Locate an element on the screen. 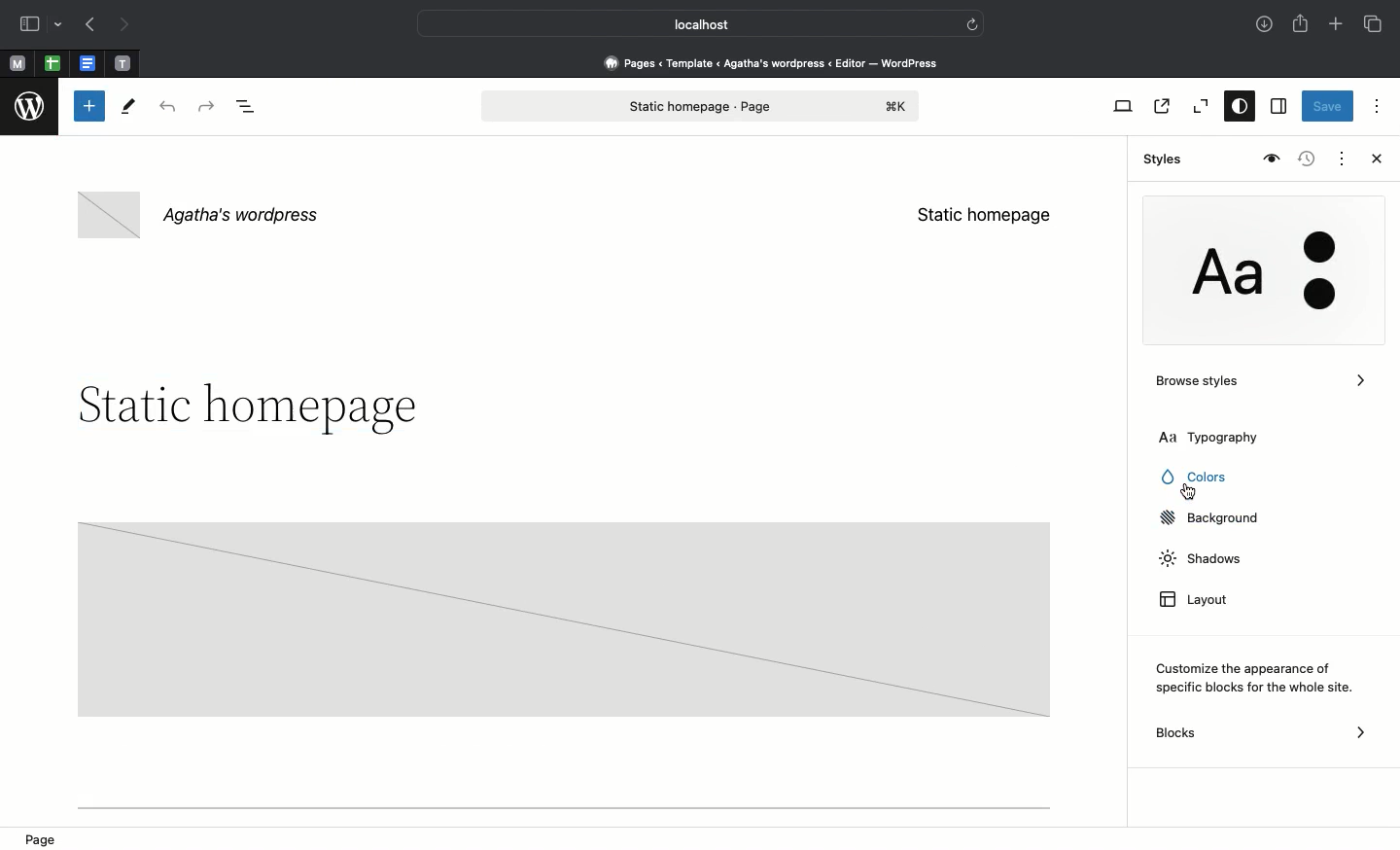 The height and width of the screenshot is (850, 1400). Save is located at coordinates (1328, 108).